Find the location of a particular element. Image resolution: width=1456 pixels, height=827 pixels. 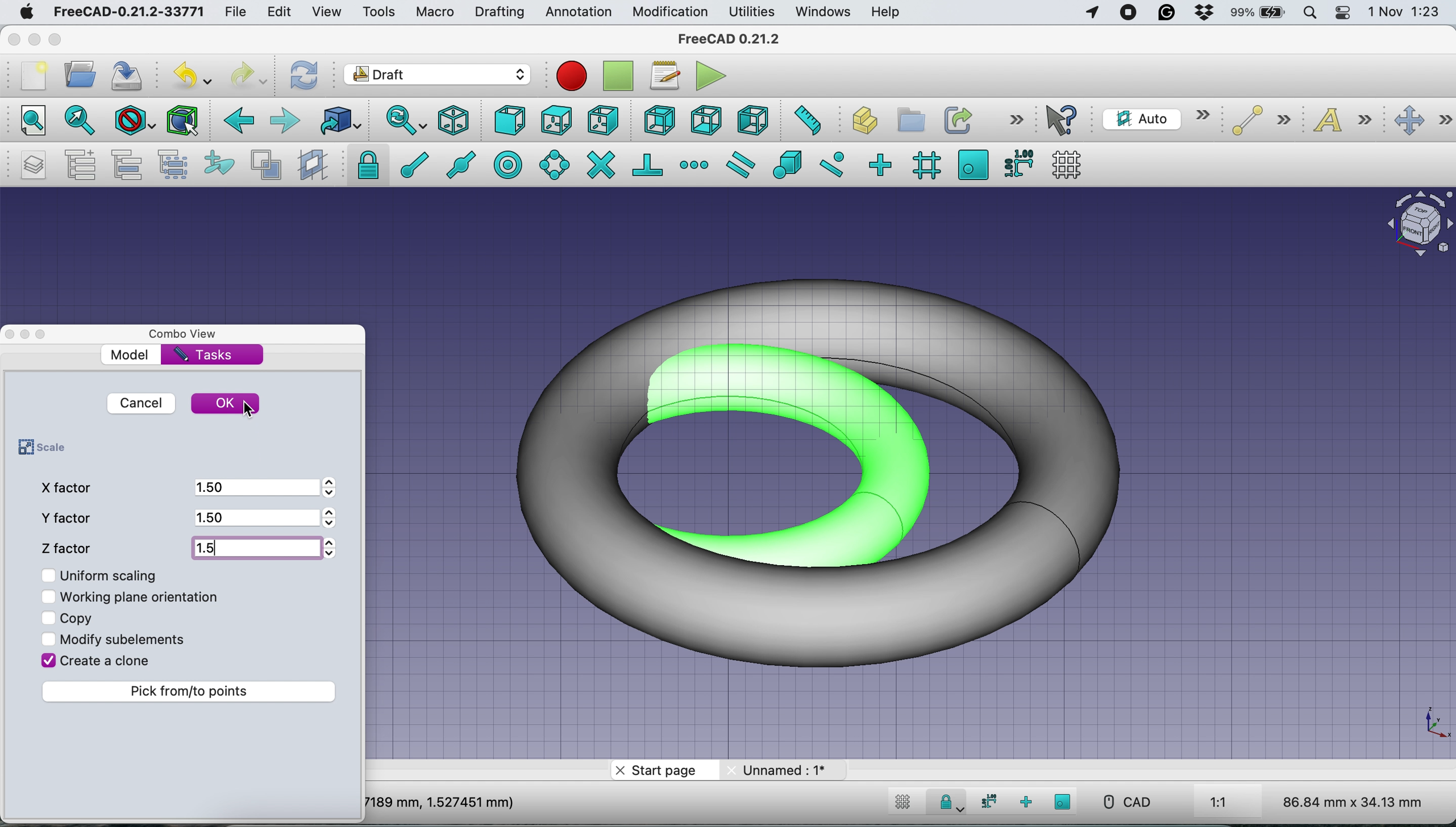

macro is located at coordinates (435, 14).